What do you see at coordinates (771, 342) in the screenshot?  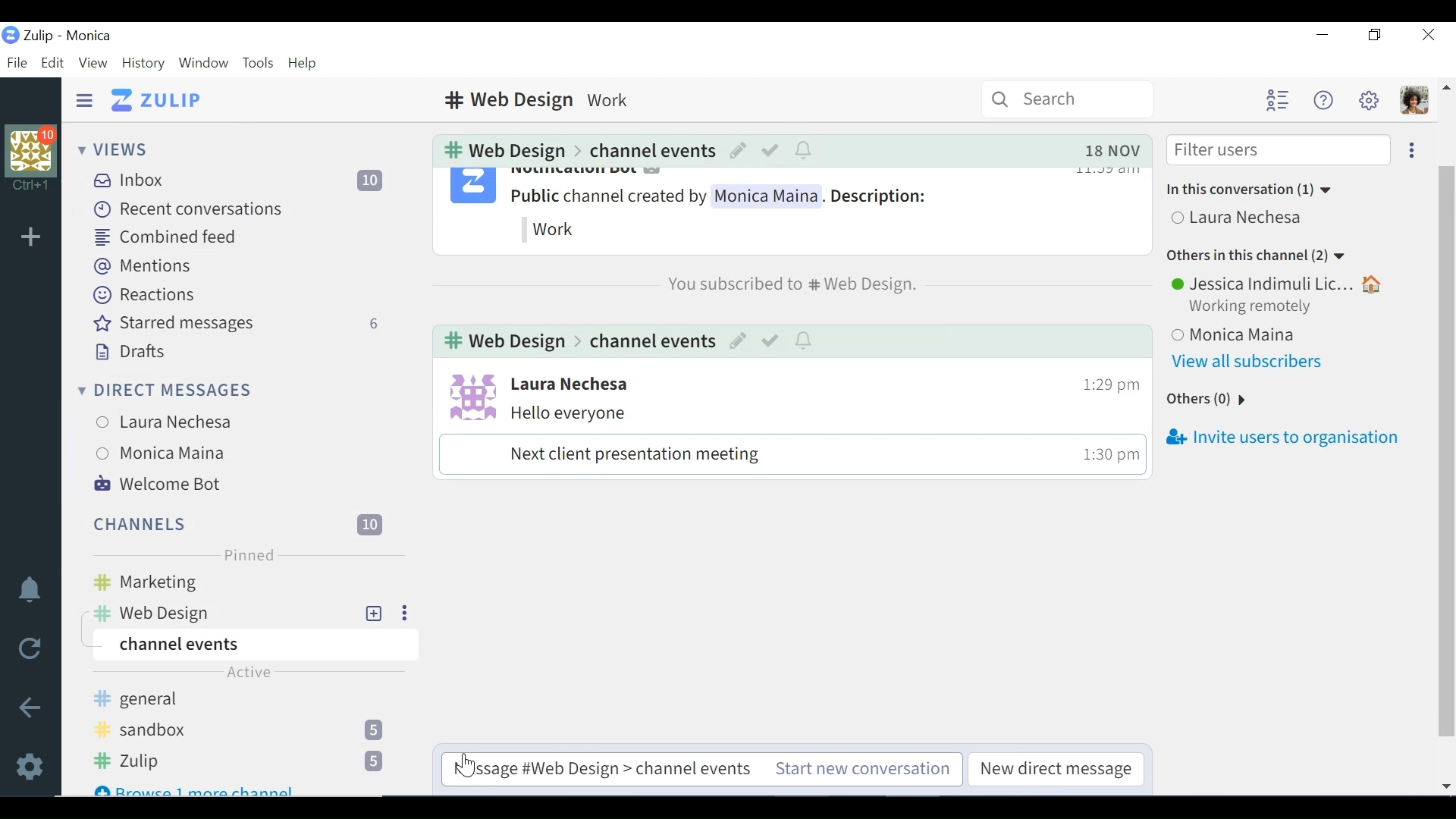 I see `mark as resolved` at bounding box center [771, 342].